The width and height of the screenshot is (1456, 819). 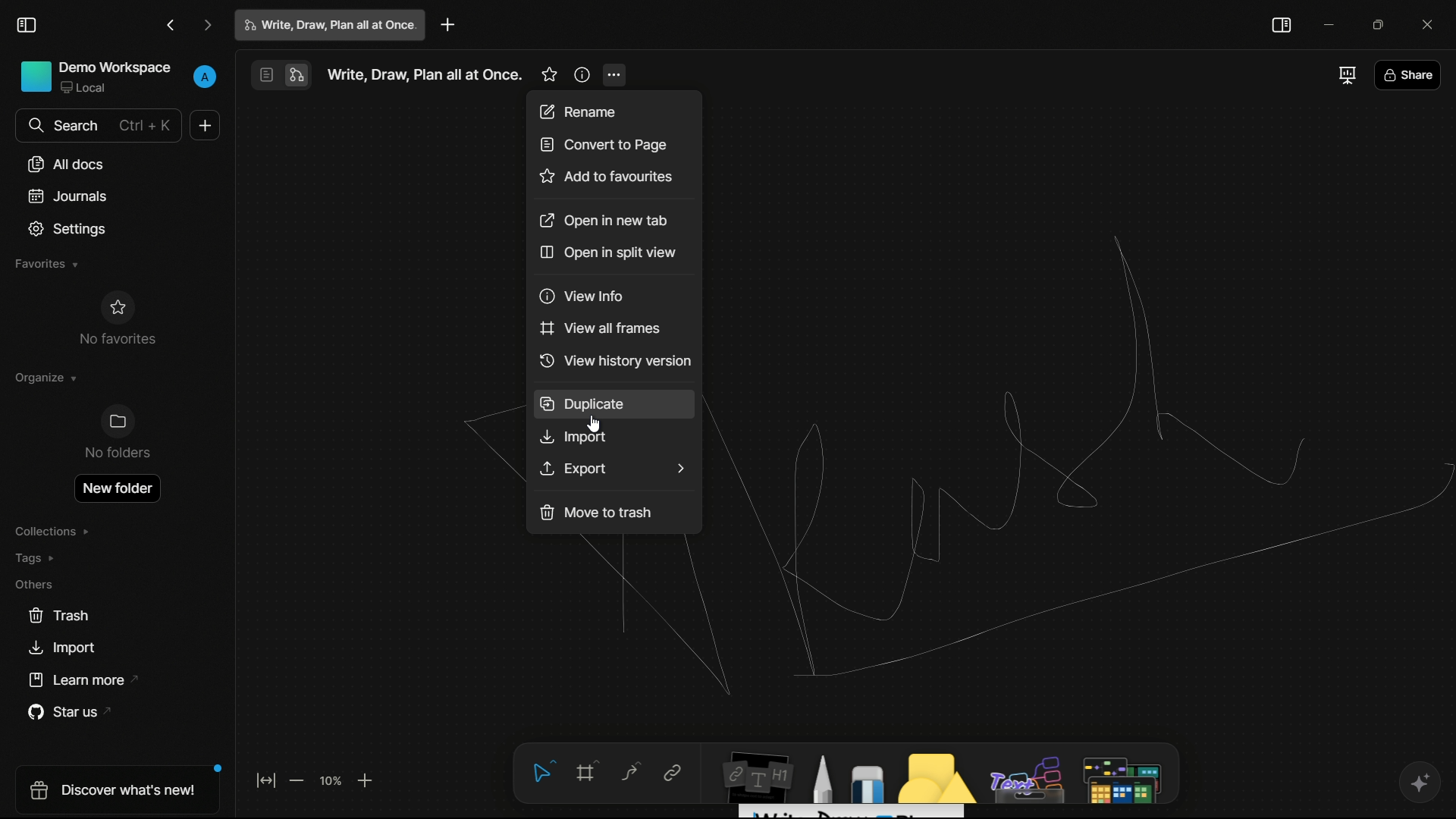 What do you see at coordinates (1407, 76) in the screenshot?
I see `share` at bounding box center [1407, 76].